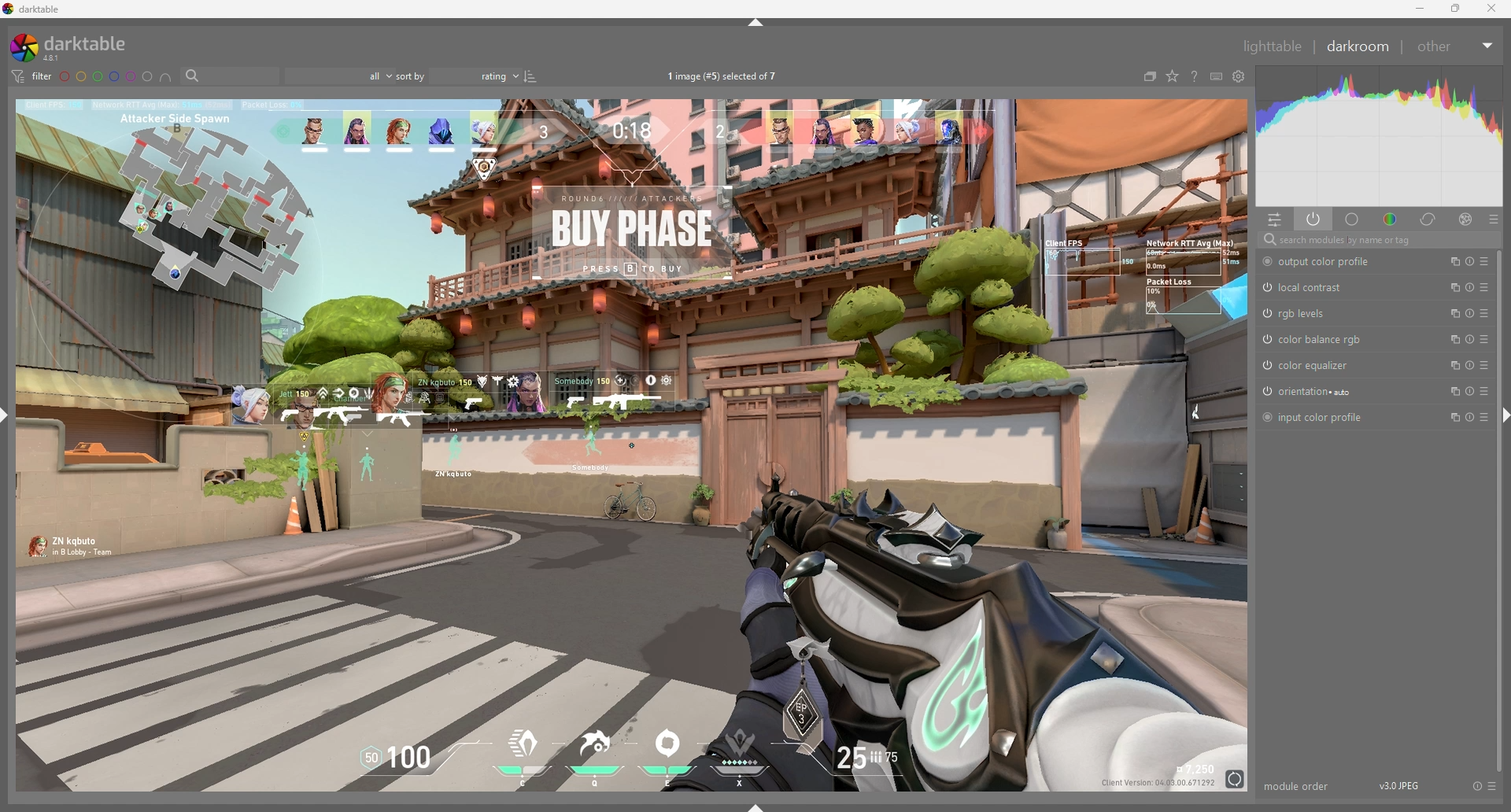 The image size is (1511, 812). What do you see at coordinates (1494, 220) in the screenshot?
I see `presets` at bounding box center [1494, 220].